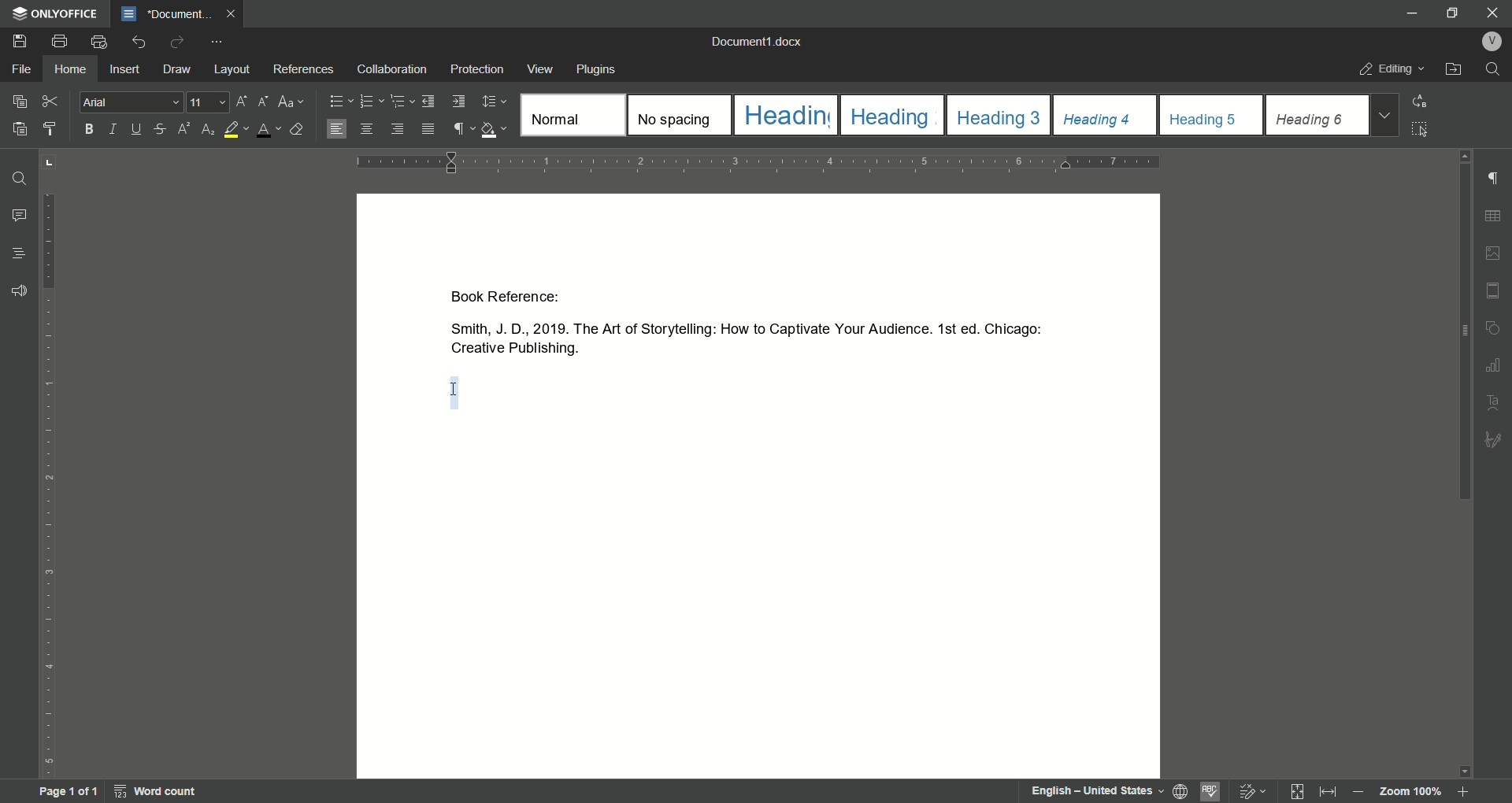 The image size is (1512, 803). What do you see at coordinates (56, 13) in the screenshot?
I see `onlyoffice logo` at bounding box center [56, 13].